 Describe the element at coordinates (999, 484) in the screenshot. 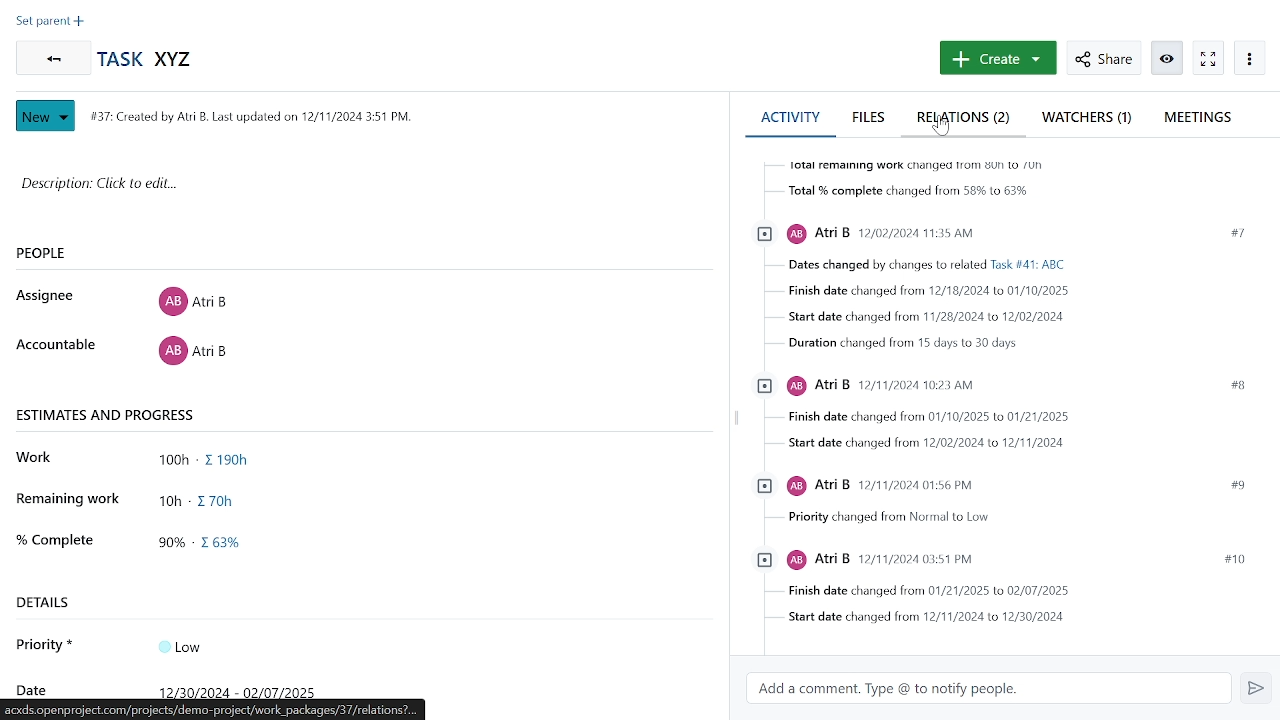

I see `user info: Atri B 12/11/2024 01   #9` at that location.